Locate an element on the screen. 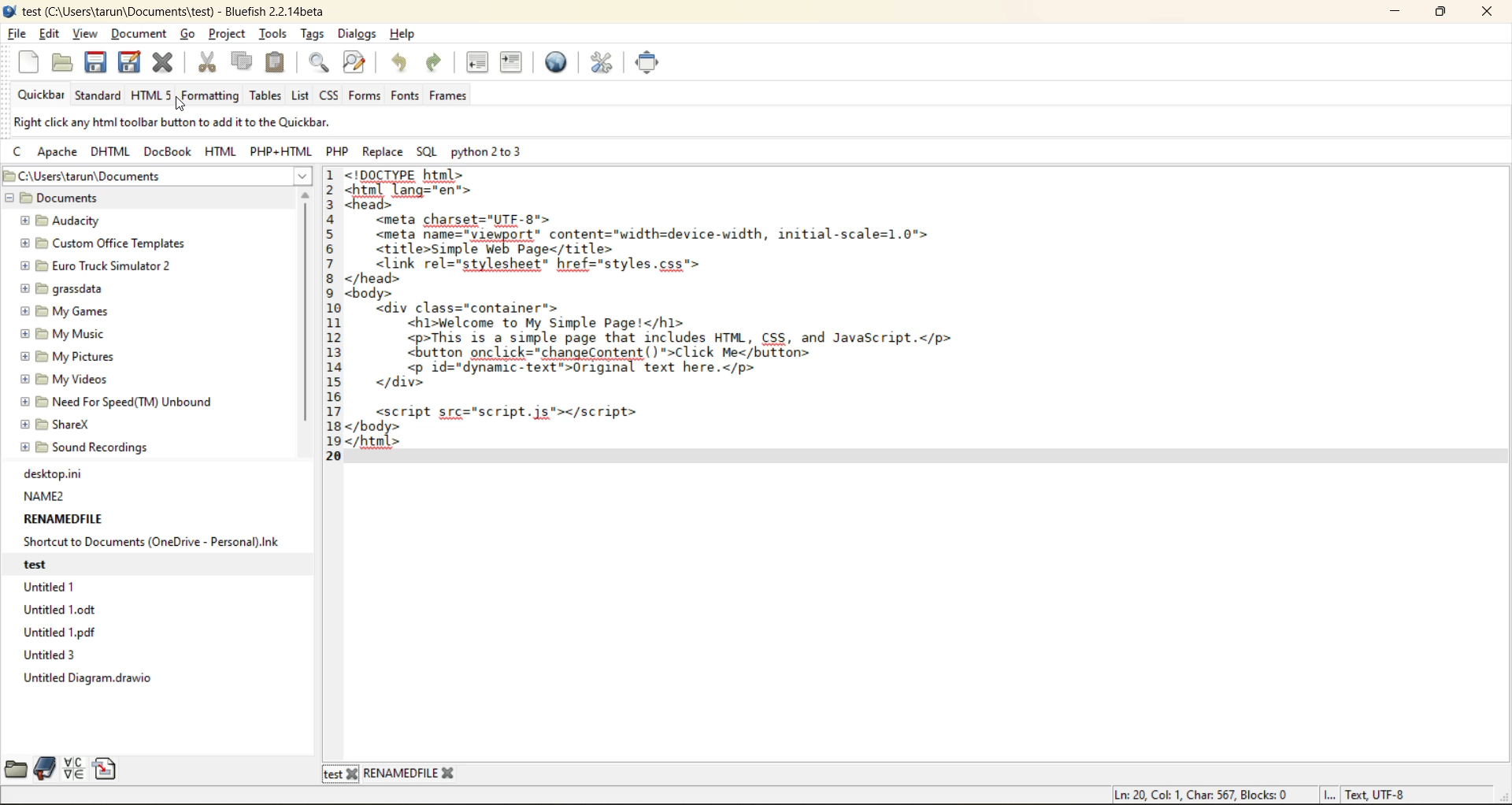  indent is located at coordinates (514, 63).